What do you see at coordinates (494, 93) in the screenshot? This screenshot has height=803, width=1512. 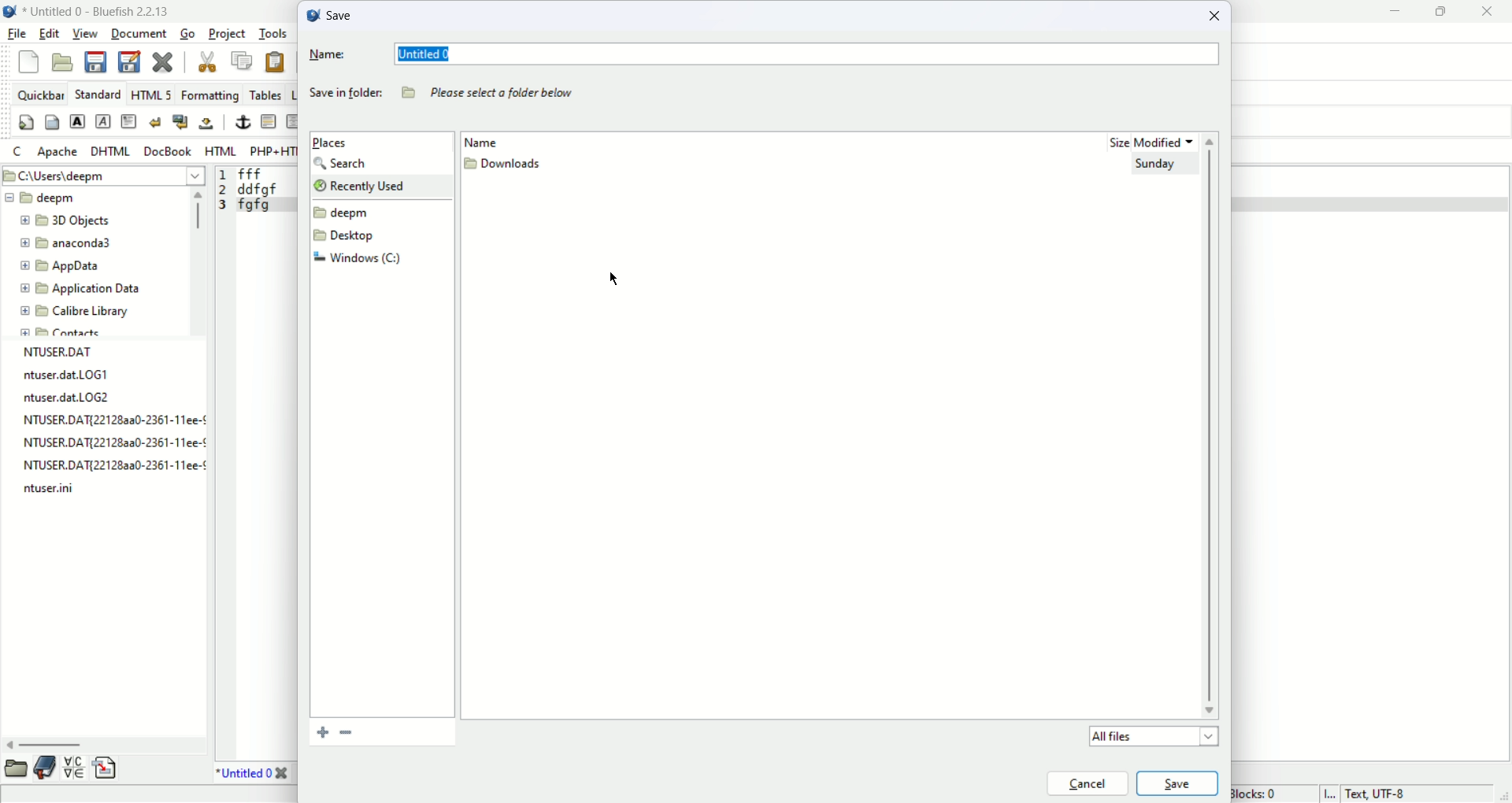 I see `text` at bounding box center [494, 93].